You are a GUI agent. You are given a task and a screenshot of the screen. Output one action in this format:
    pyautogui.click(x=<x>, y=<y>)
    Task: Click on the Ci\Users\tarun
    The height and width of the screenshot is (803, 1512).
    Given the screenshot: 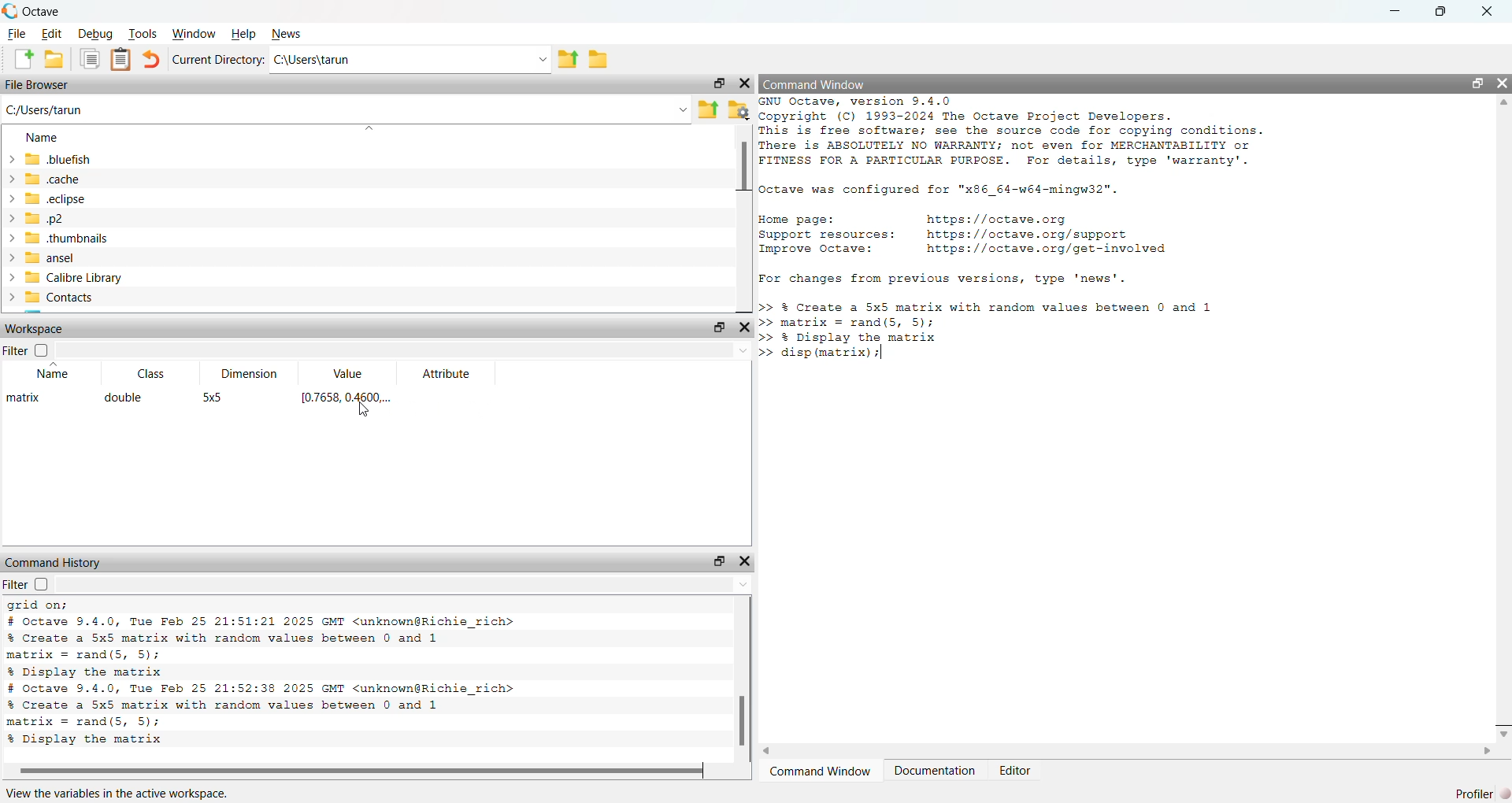 What is the action you would take?
    pyautogui.click(x=373, y=62)
    